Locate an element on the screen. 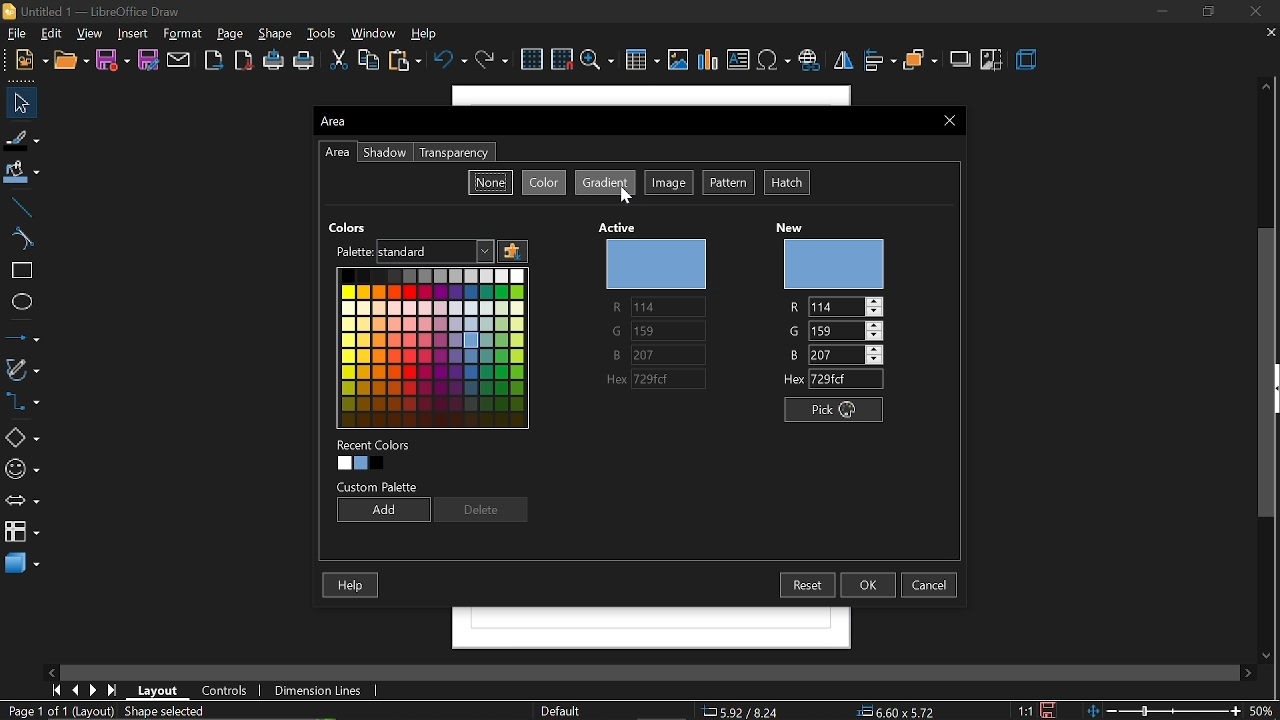 This screenshot has width=1280, height=720. Active R is located at coordinates (655, 308).